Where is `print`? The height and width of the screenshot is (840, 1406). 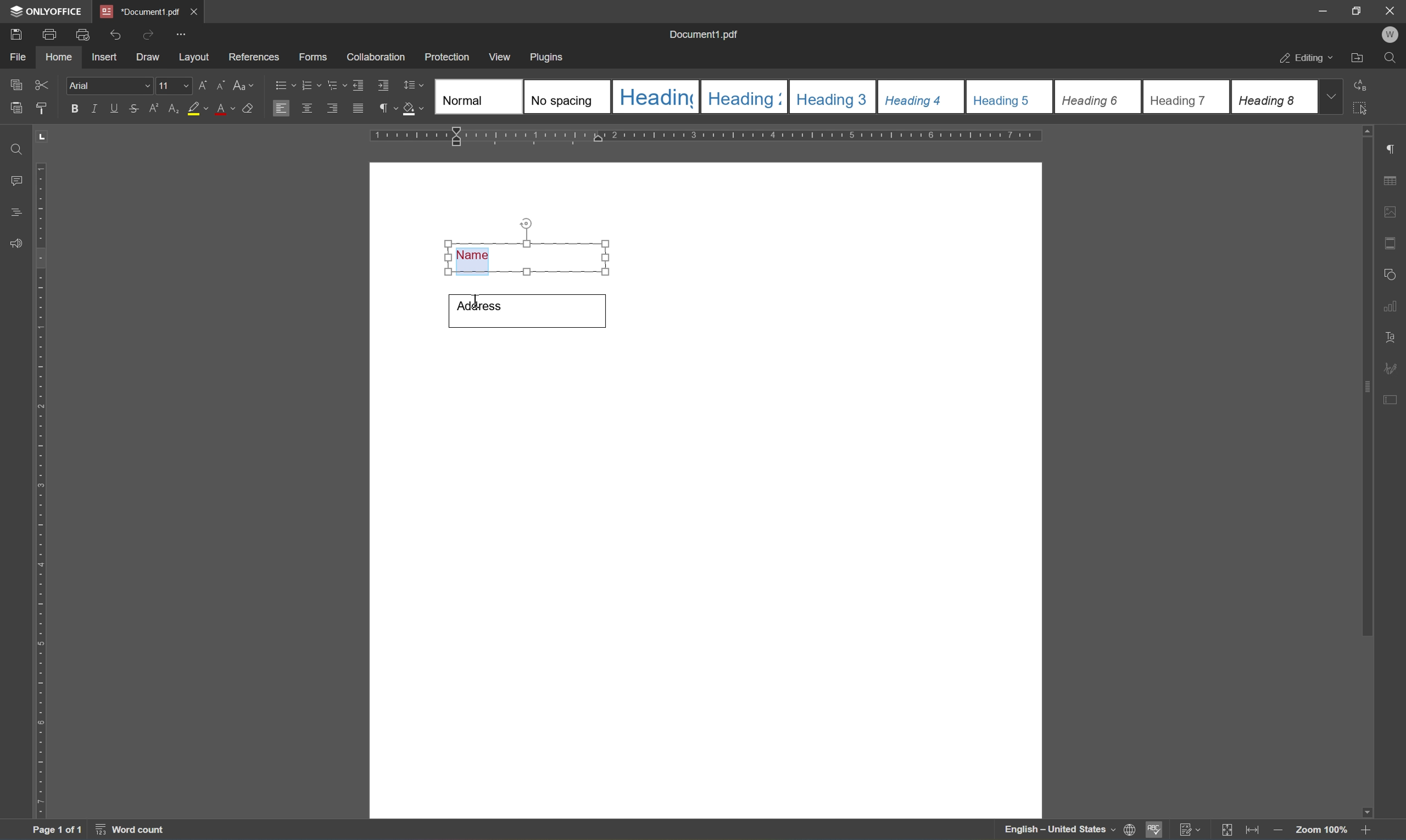 print is located at coordinates (47, 36).